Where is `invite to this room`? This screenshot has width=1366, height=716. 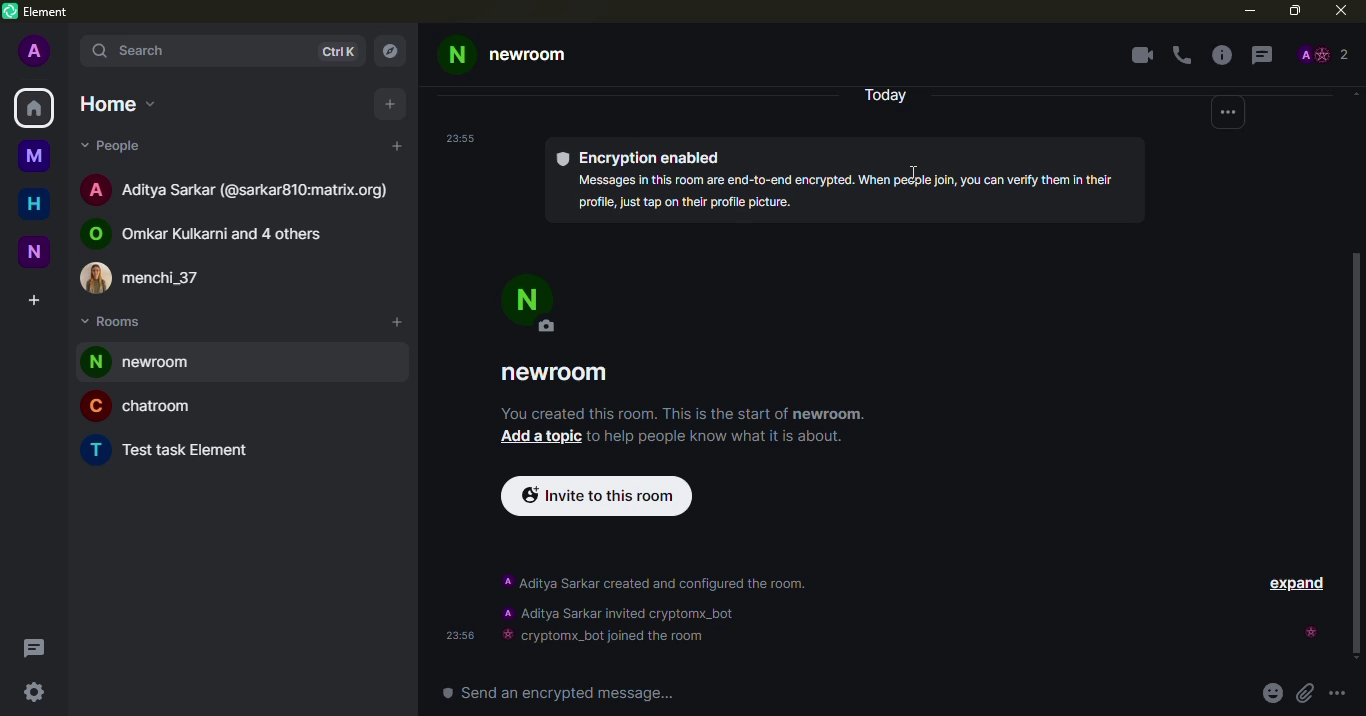
invite to this room is located at coordinates (596, 498).